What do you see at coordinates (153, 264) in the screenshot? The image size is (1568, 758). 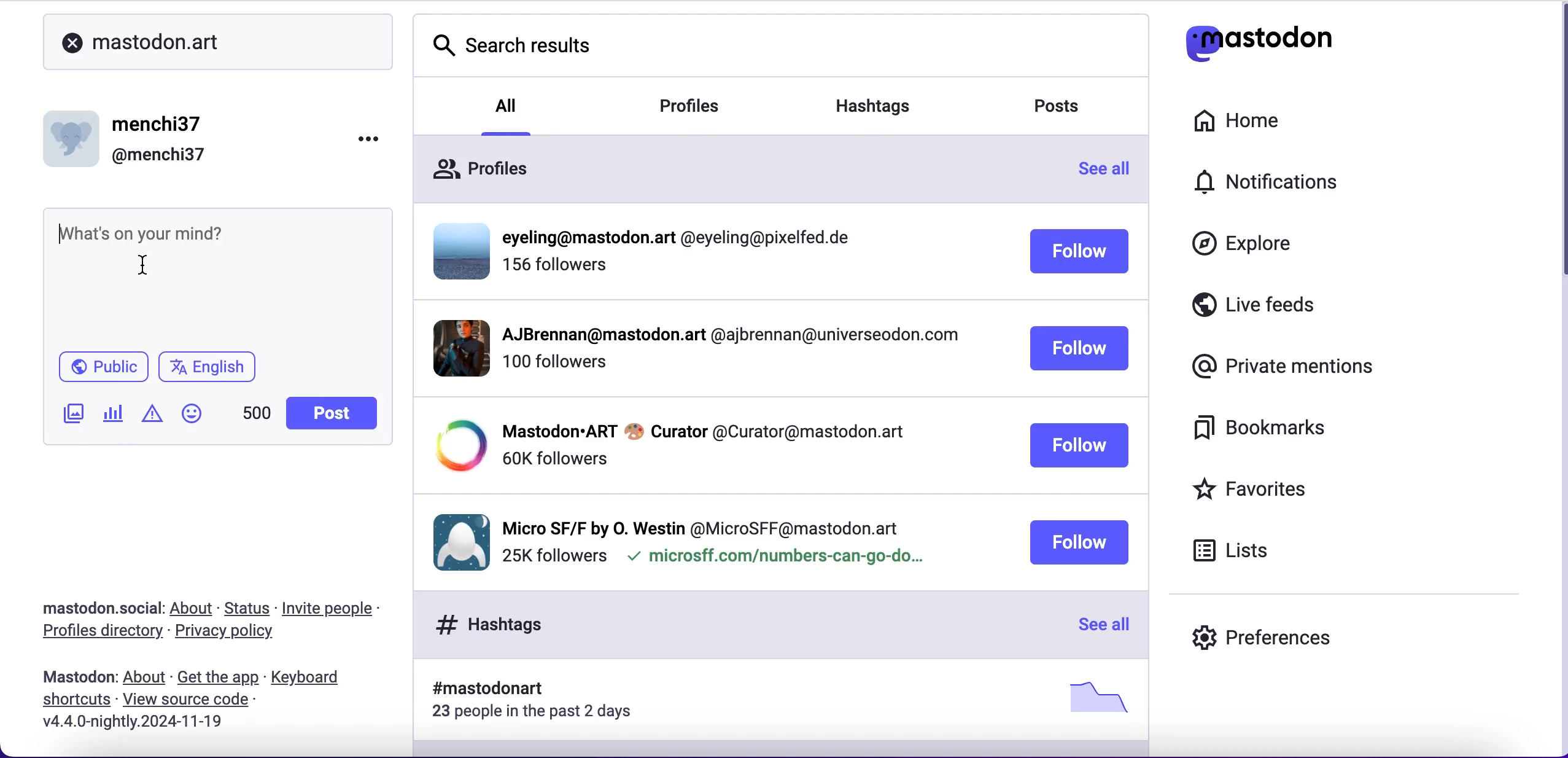 I see `cursor` at bounding box center [153, 264].